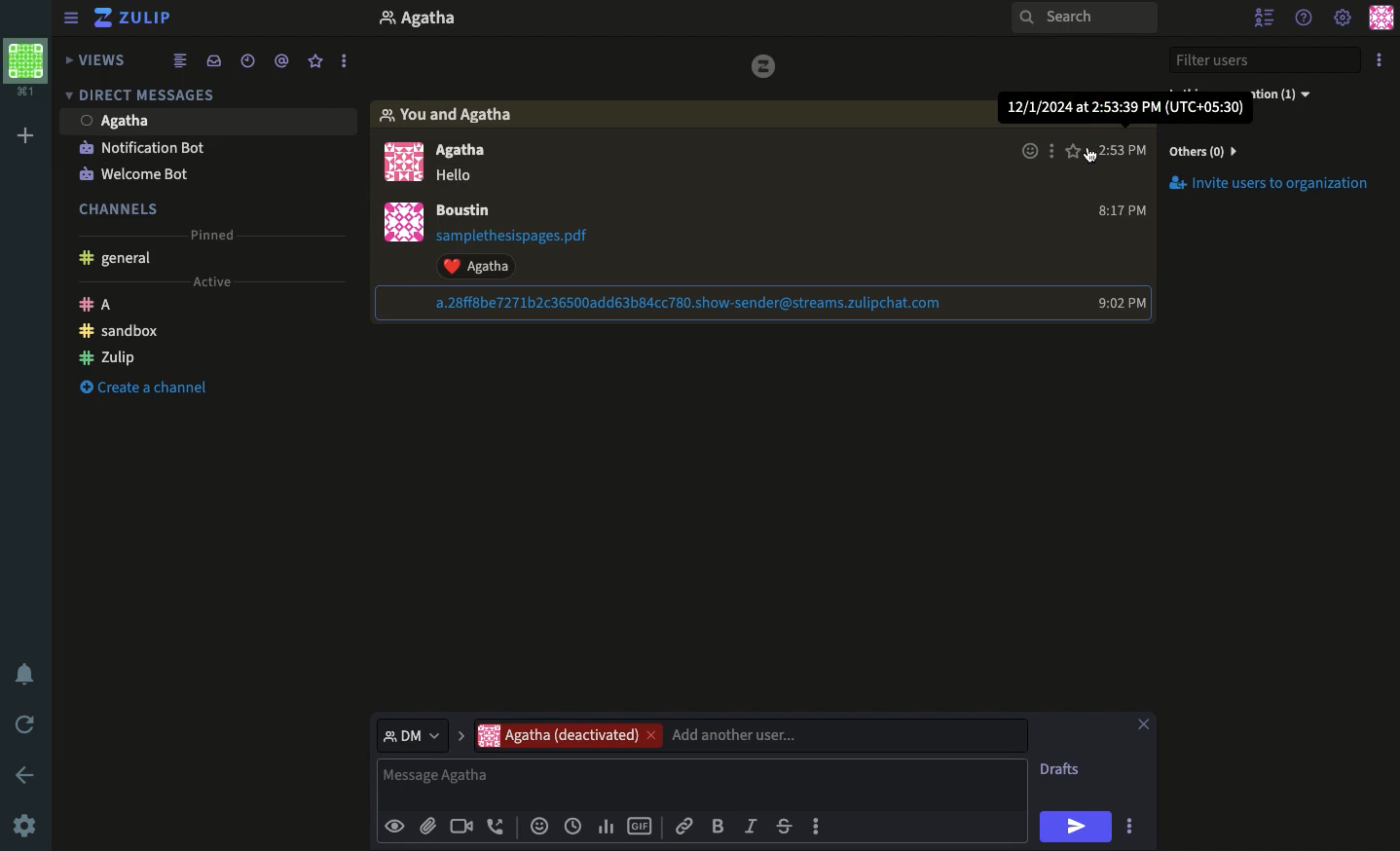  Describe the element at coordinates (497, 826) in the screenshot. I see `Voice call` at that location.